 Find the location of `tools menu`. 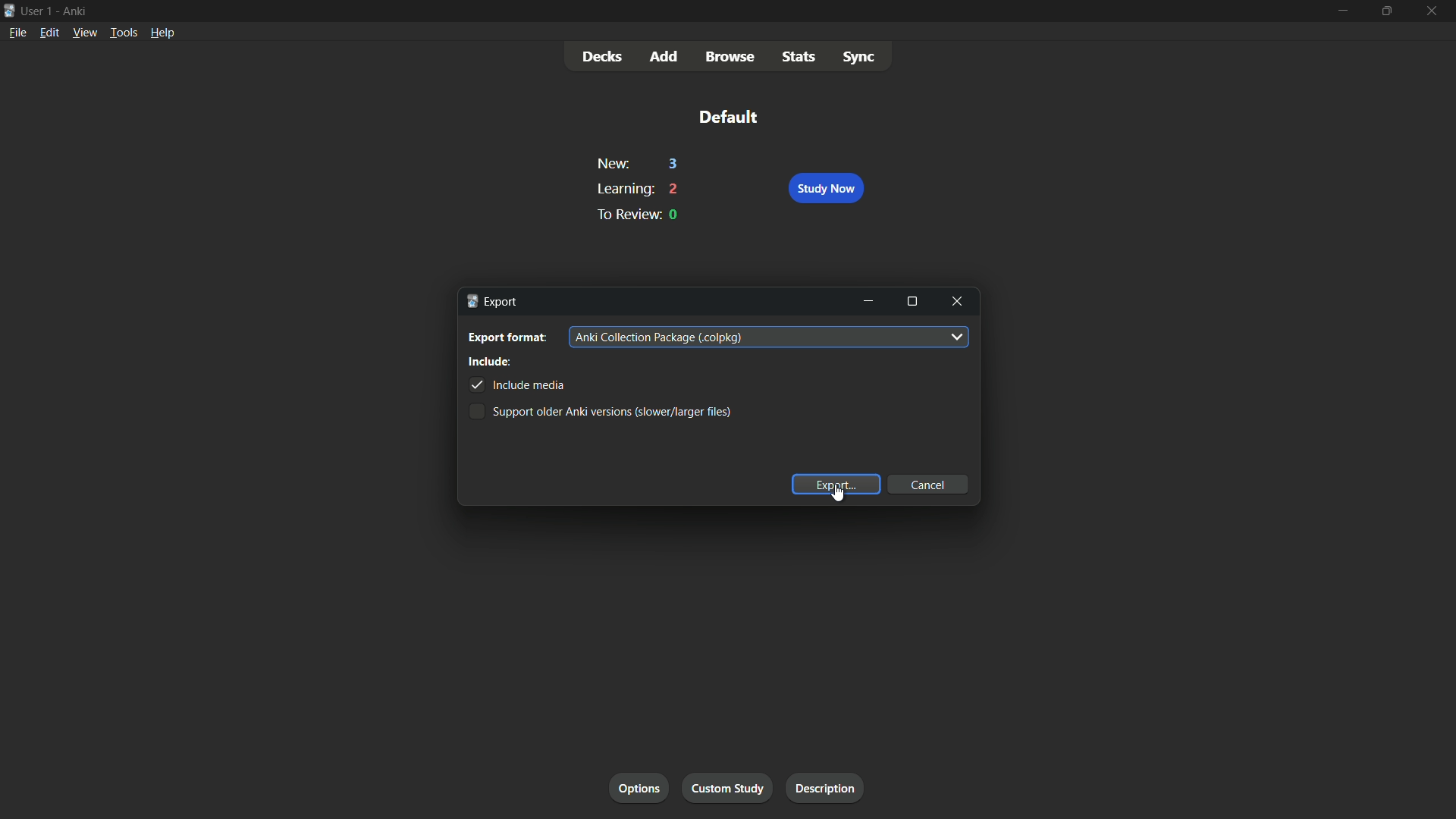

tools menu is located at coordinates (122, 33).